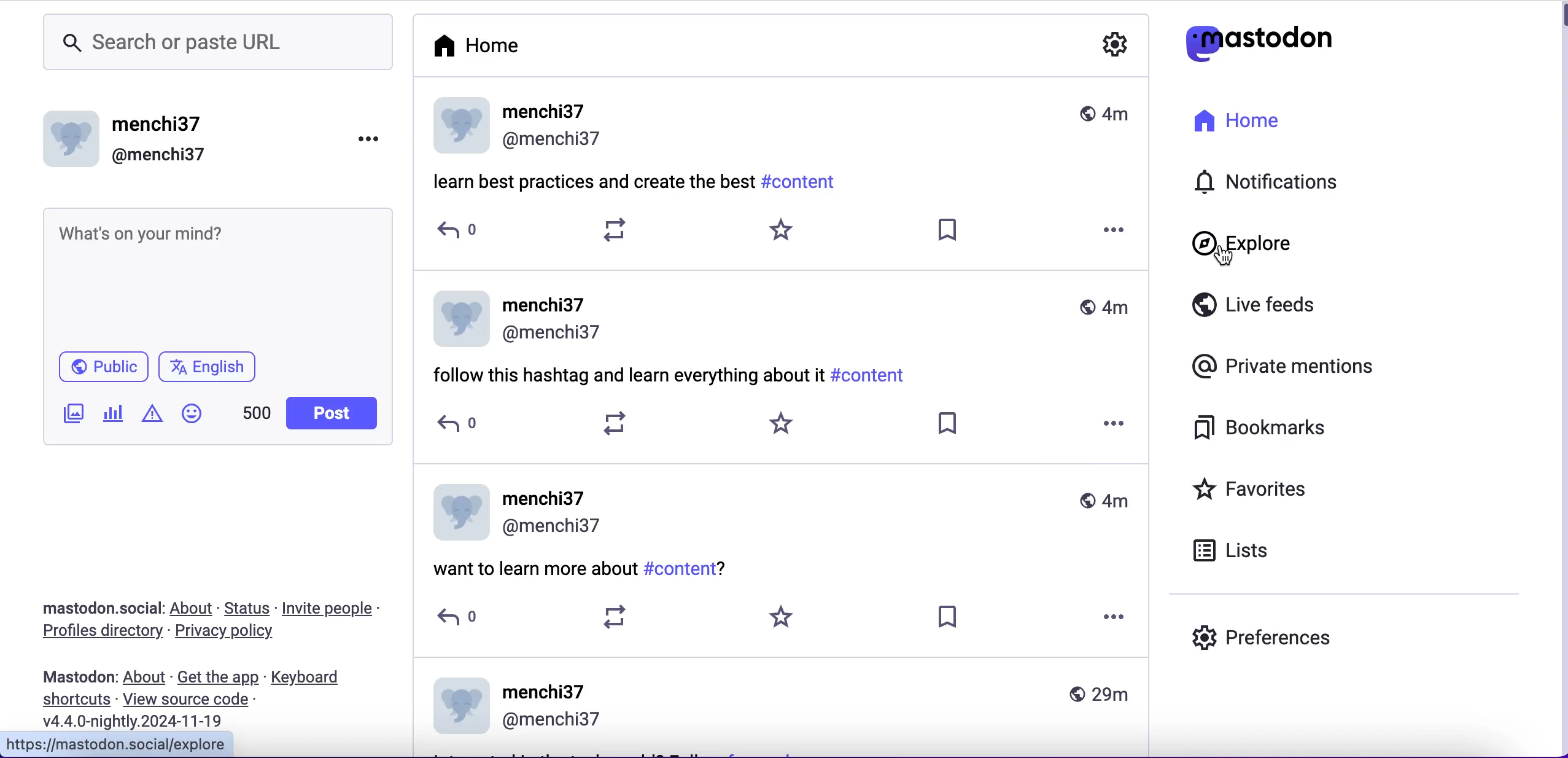 This screenshot has width=1568, height=758. Describe the element at coordinates (946, 423) in the screenshot. I see `save` at that location.